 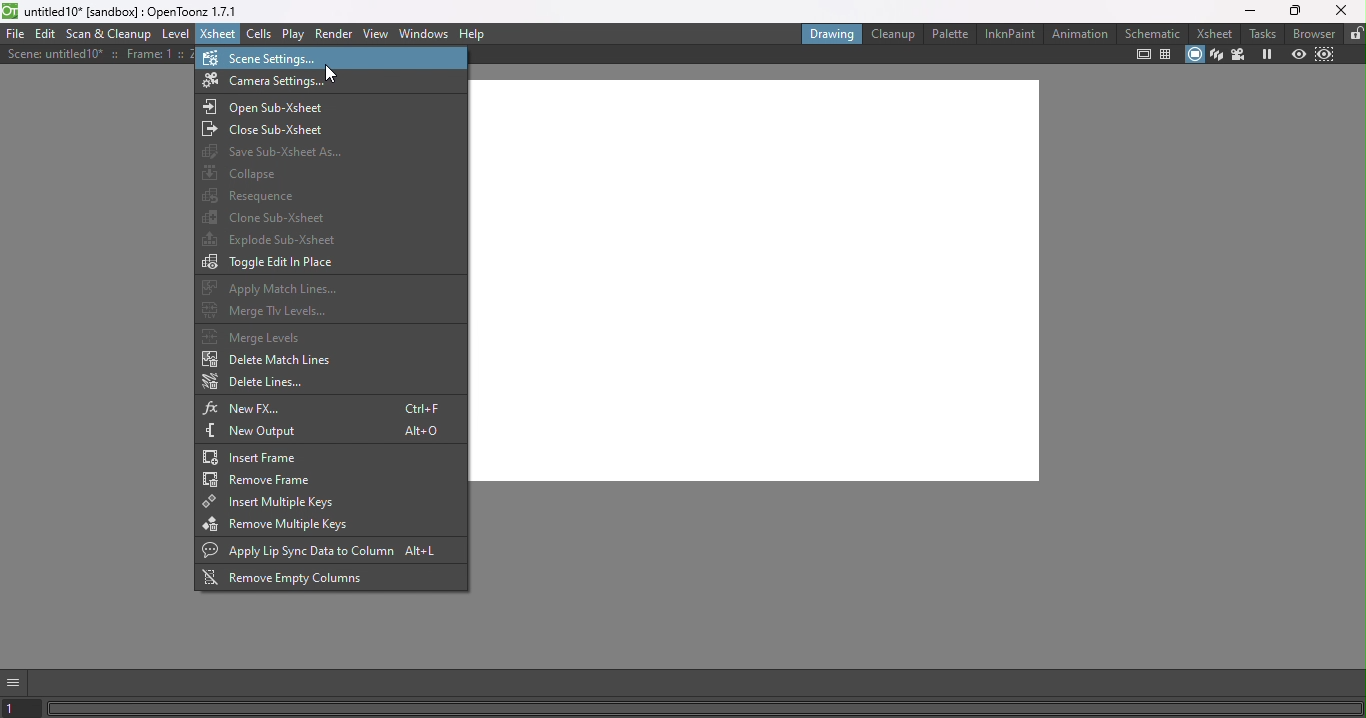 I want to click on Tasks, so click(x=1262, y=34).